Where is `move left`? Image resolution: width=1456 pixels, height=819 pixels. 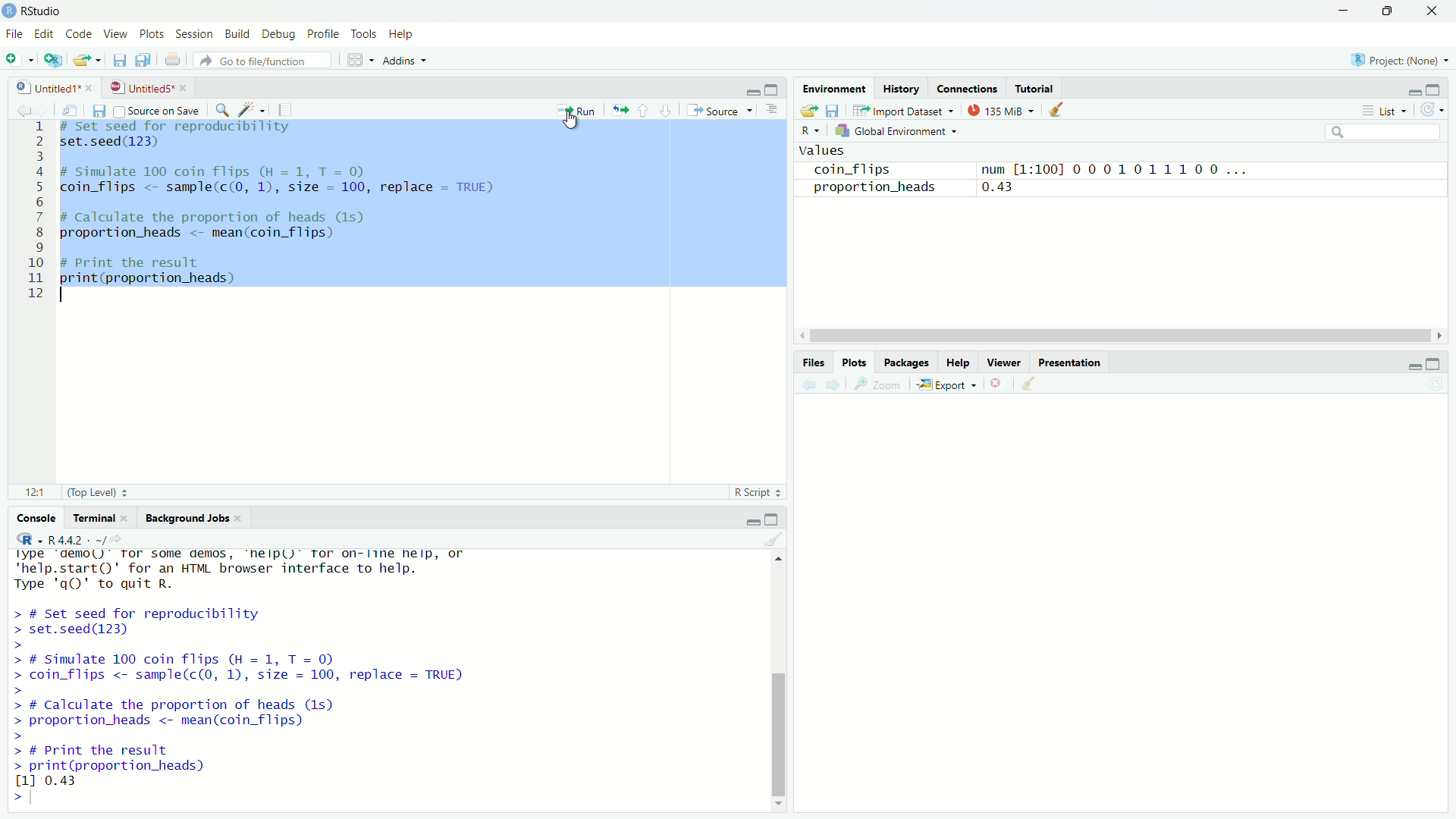 move left is located at coordinates (800, 332).